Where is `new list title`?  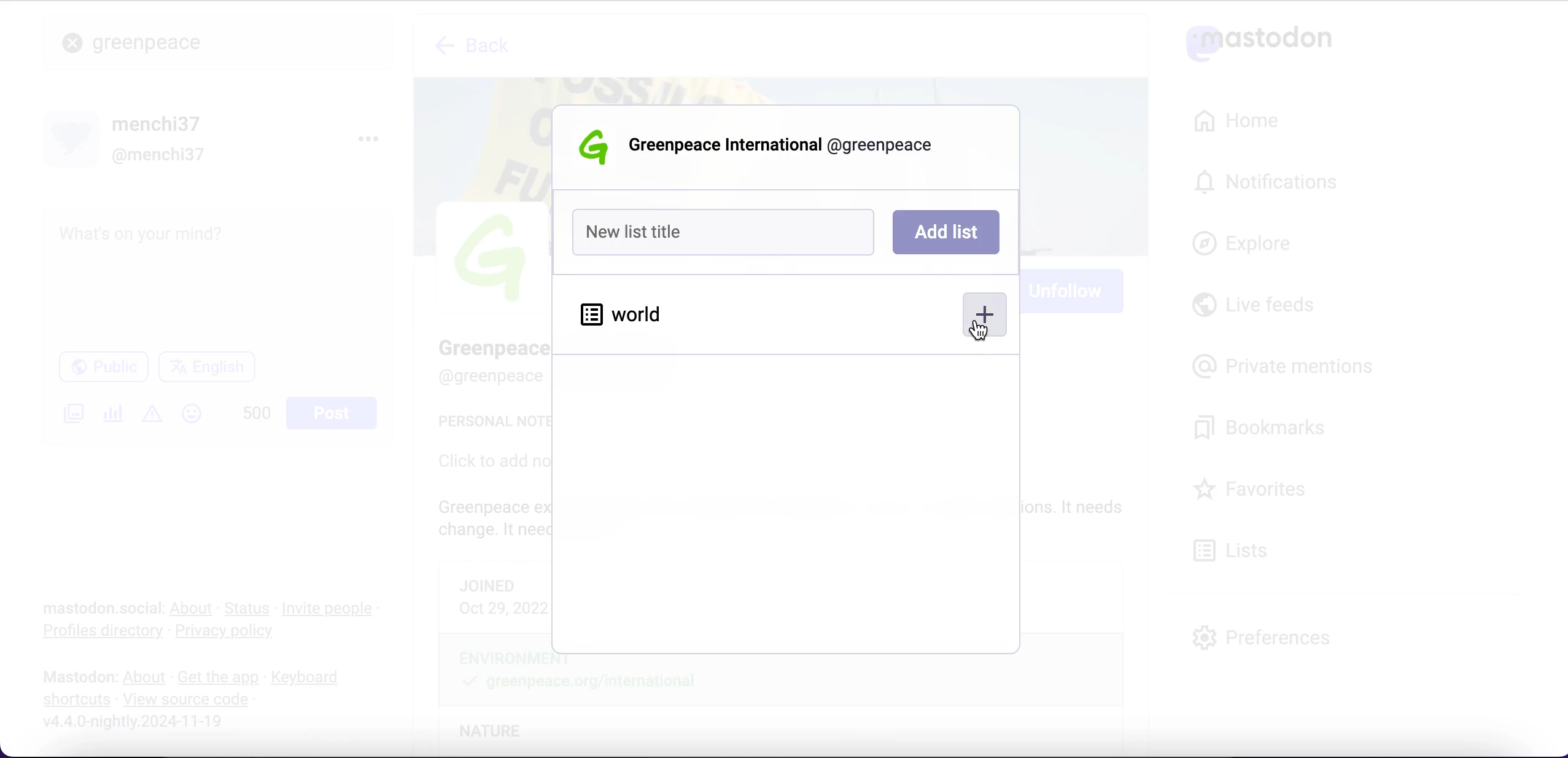 new list title is located at coordinates (724, 232).